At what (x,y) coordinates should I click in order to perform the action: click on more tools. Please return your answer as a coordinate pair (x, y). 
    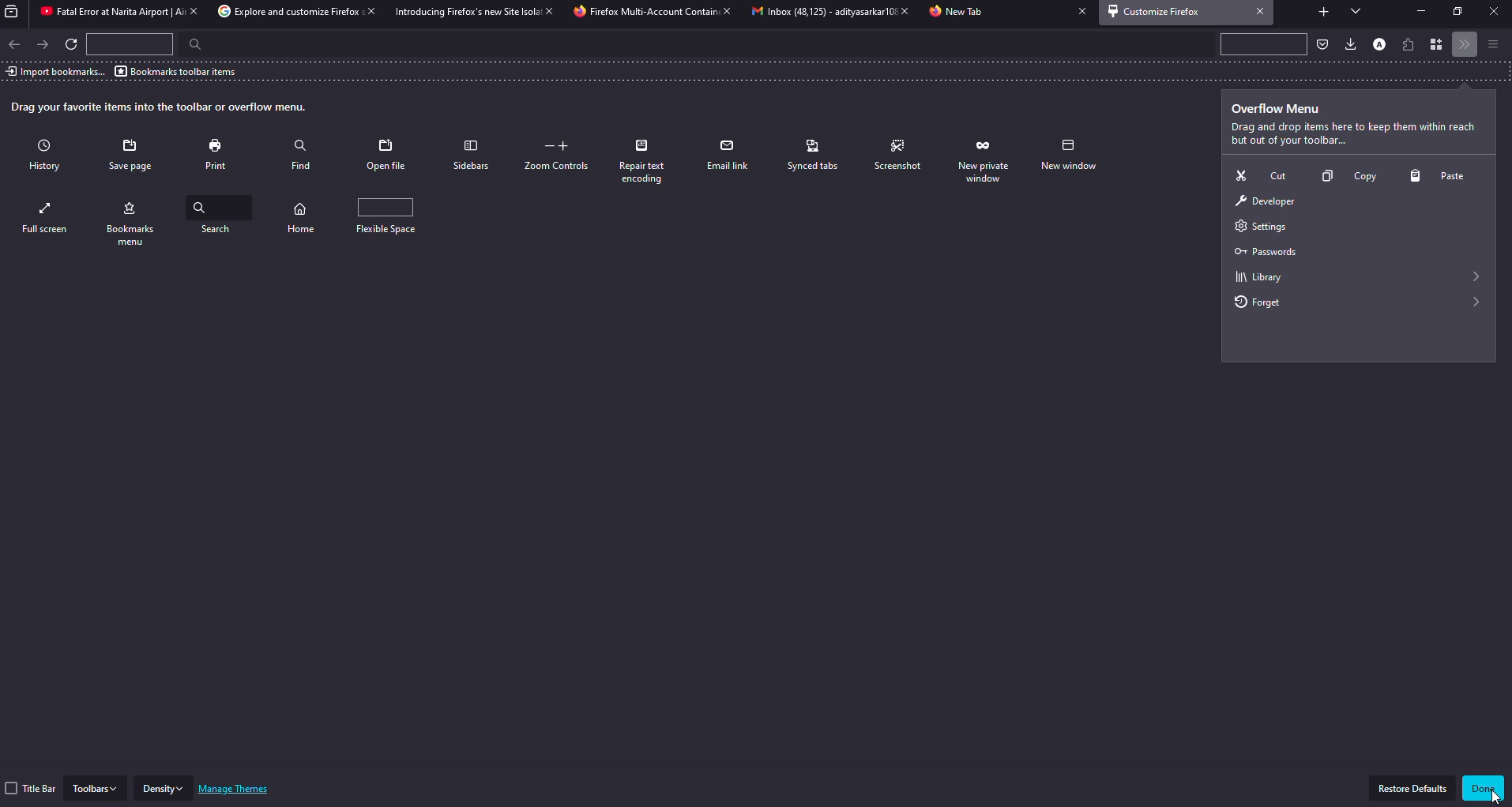
    Looking at the image, I should click on (1466, 45).